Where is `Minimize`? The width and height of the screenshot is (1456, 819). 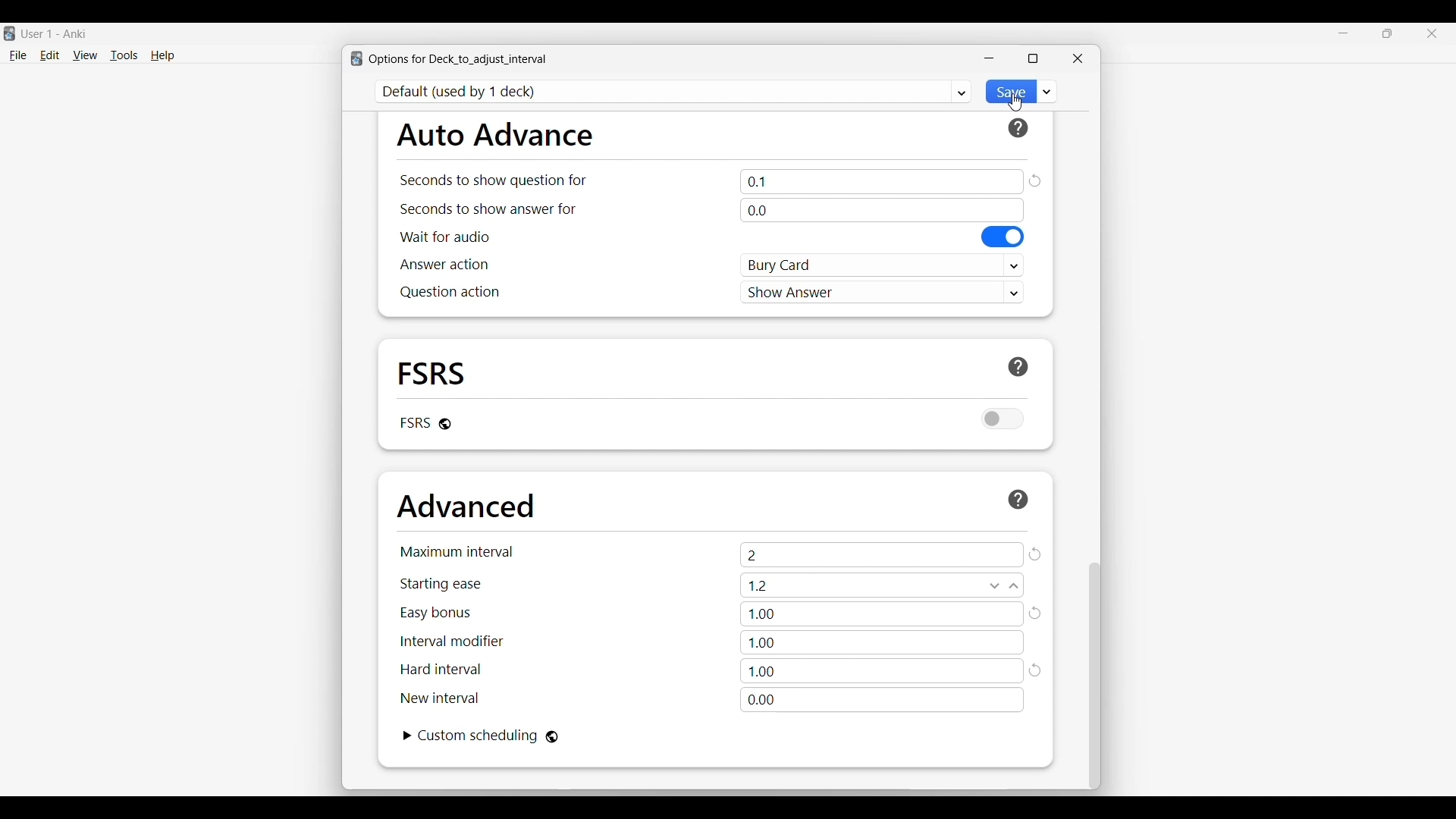
Minimize is located at coordinates (1344, 33).